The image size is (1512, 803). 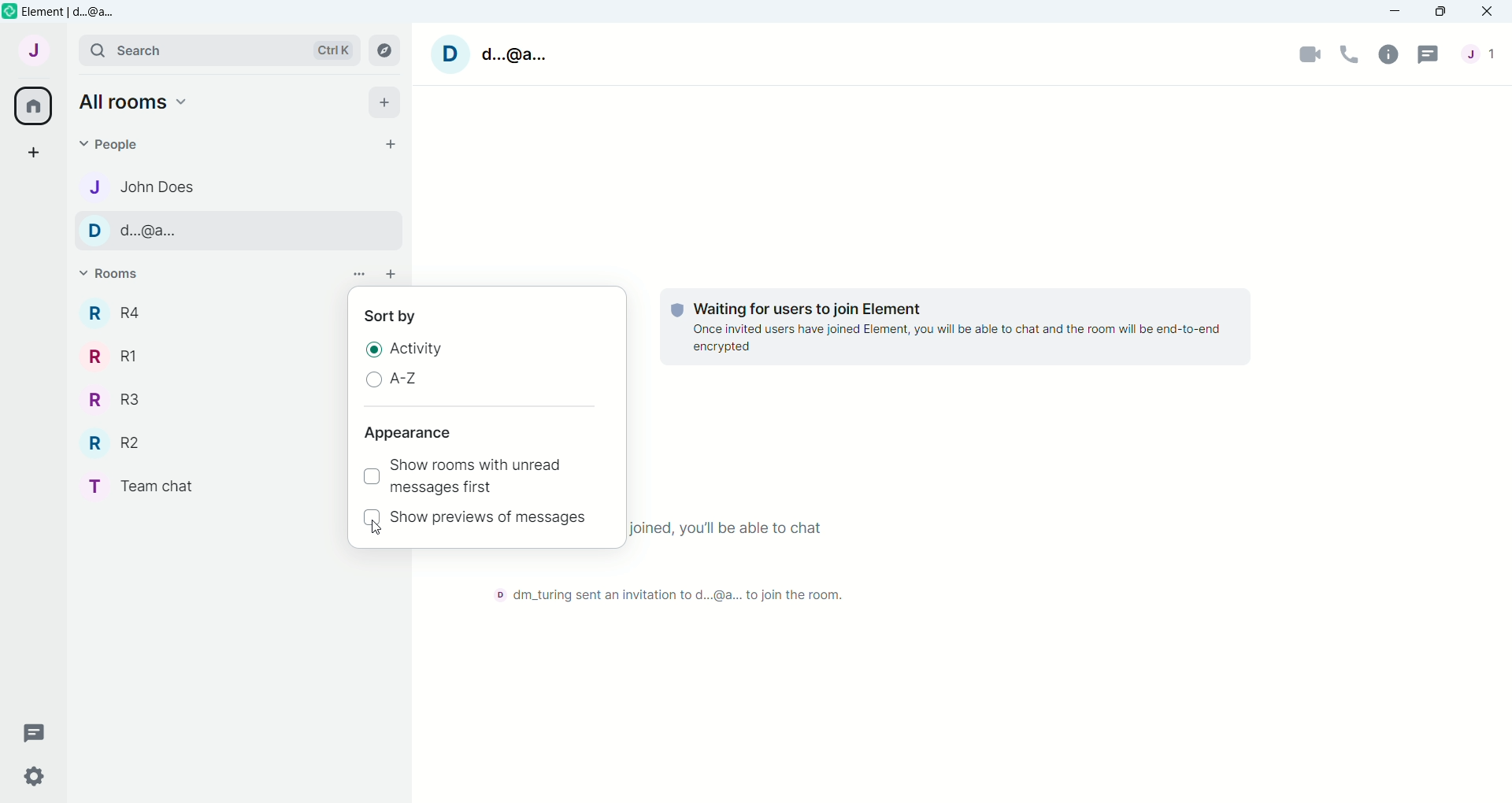 I want to click on D d...@a..., so click(x=153, y=231).